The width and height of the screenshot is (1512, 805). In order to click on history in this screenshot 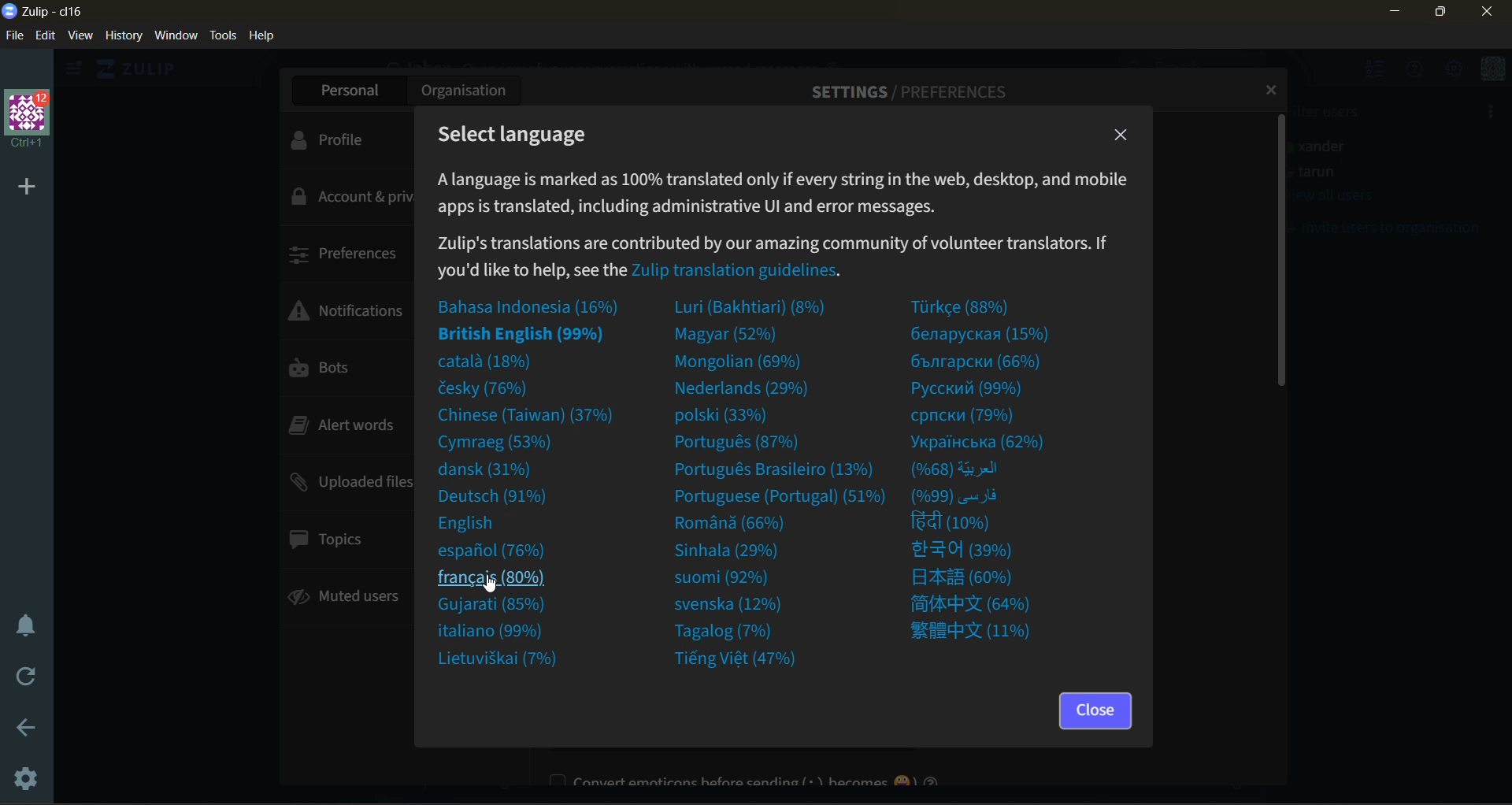, I will do `click(123, 39)`.